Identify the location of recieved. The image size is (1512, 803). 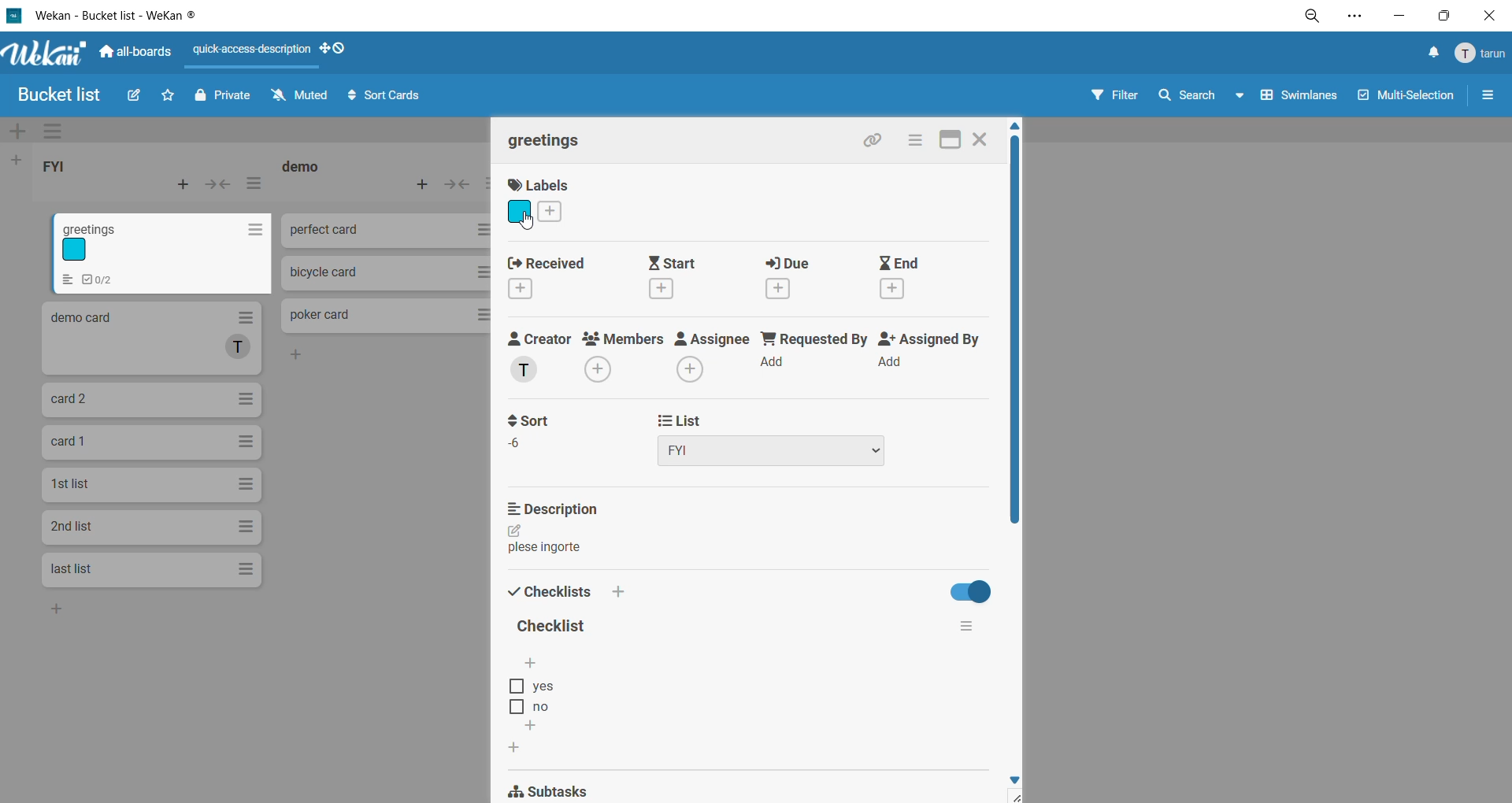
(546, 276).